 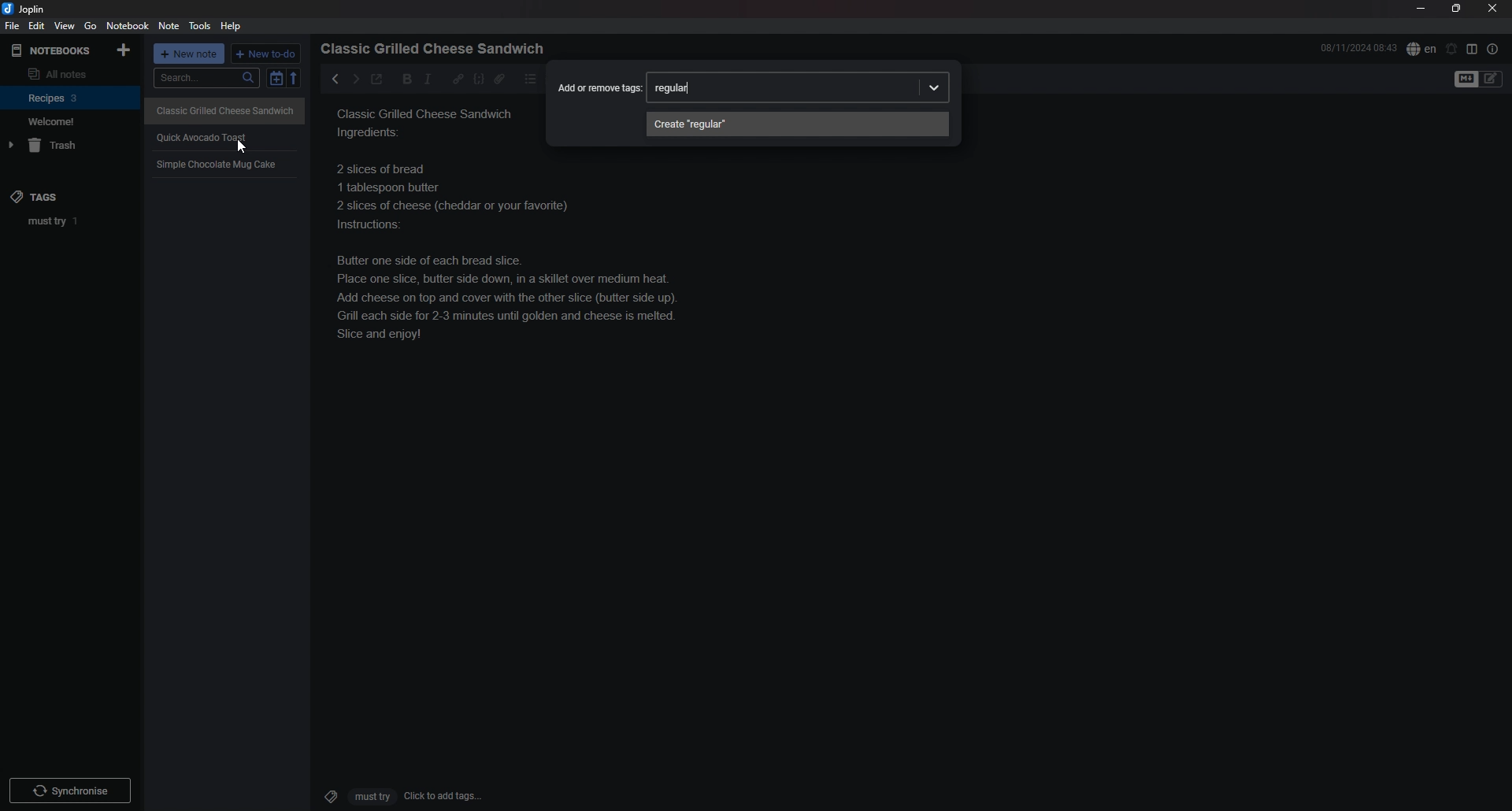 I want to click on notebooks, so click(x=53, y=50).